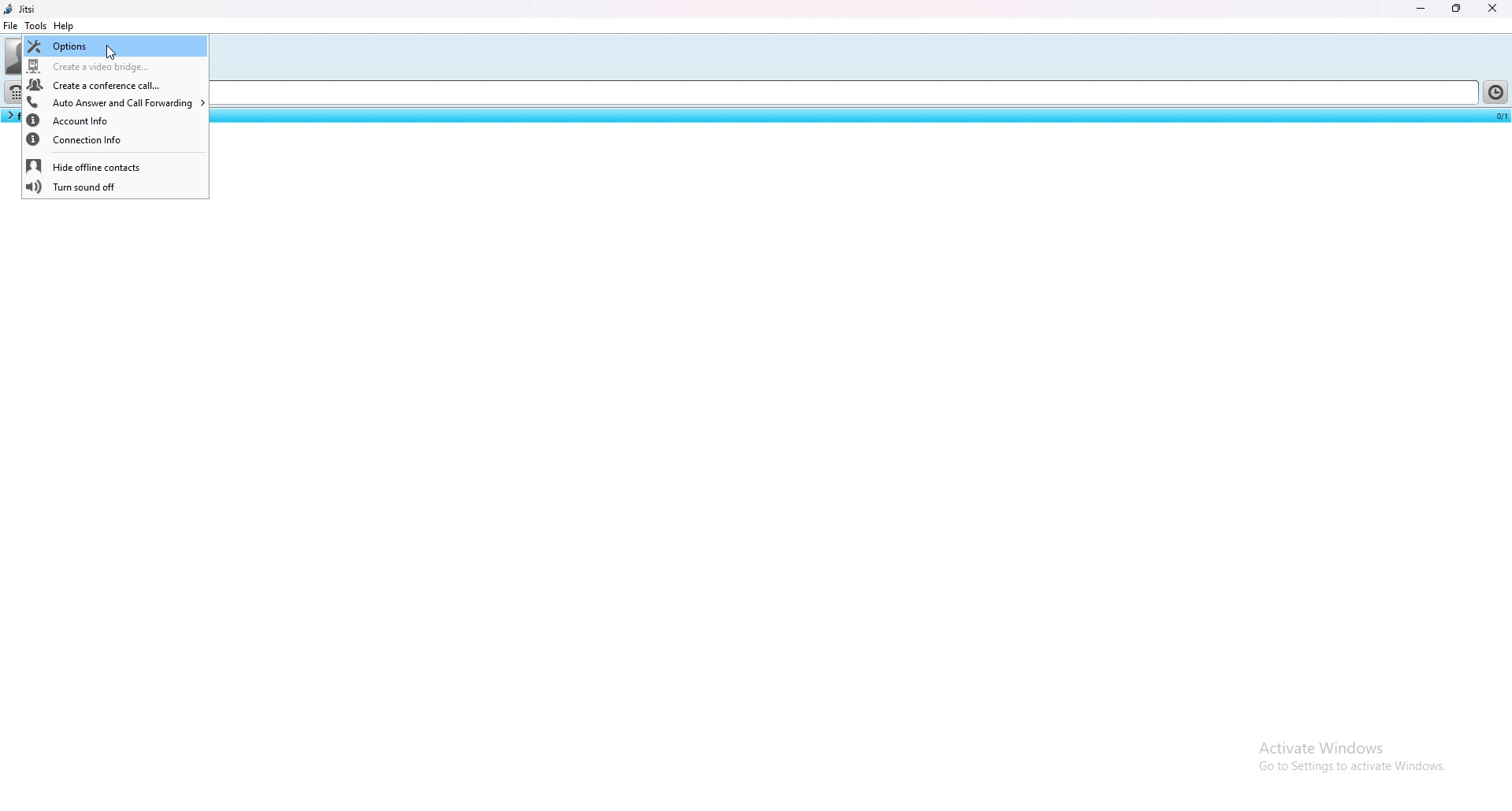 The height and width of the screenshot is (811, 1512). I want to click on account info, so click(114, 121).